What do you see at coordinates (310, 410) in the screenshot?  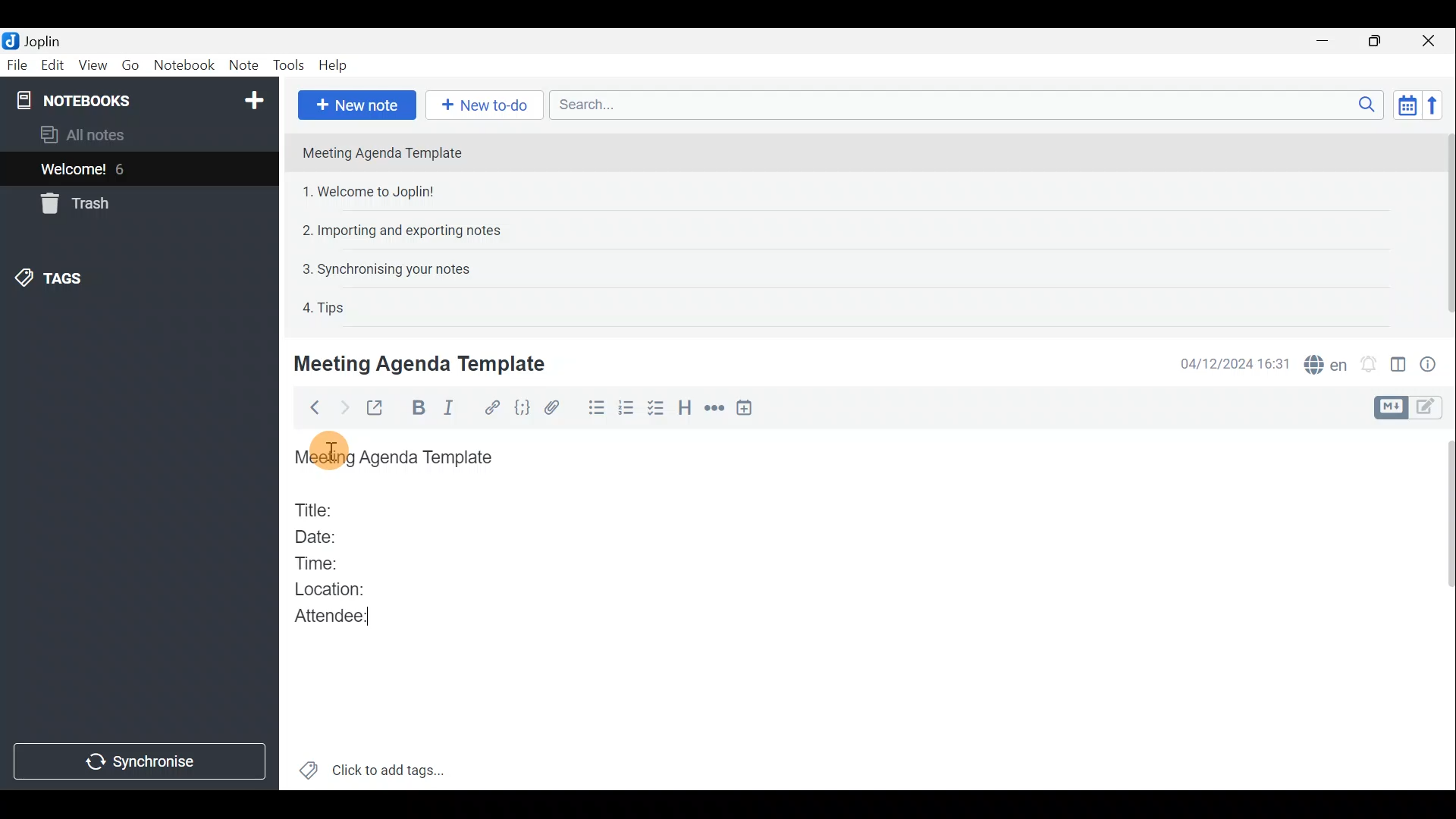 I see `Back` at bounding box center [310, 410].